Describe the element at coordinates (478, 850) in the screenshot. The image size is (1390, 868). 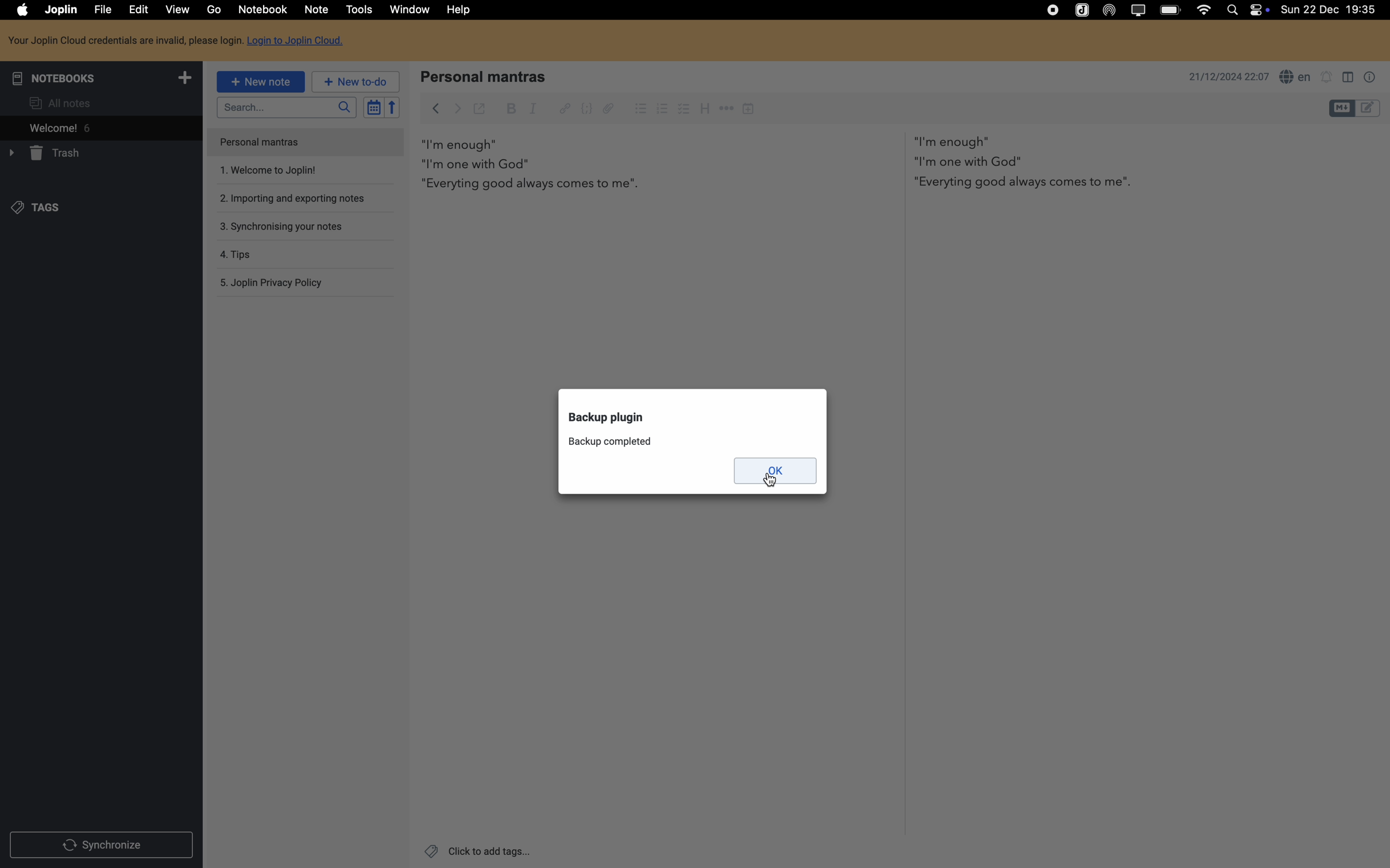
I see `click to add tags` at that location.